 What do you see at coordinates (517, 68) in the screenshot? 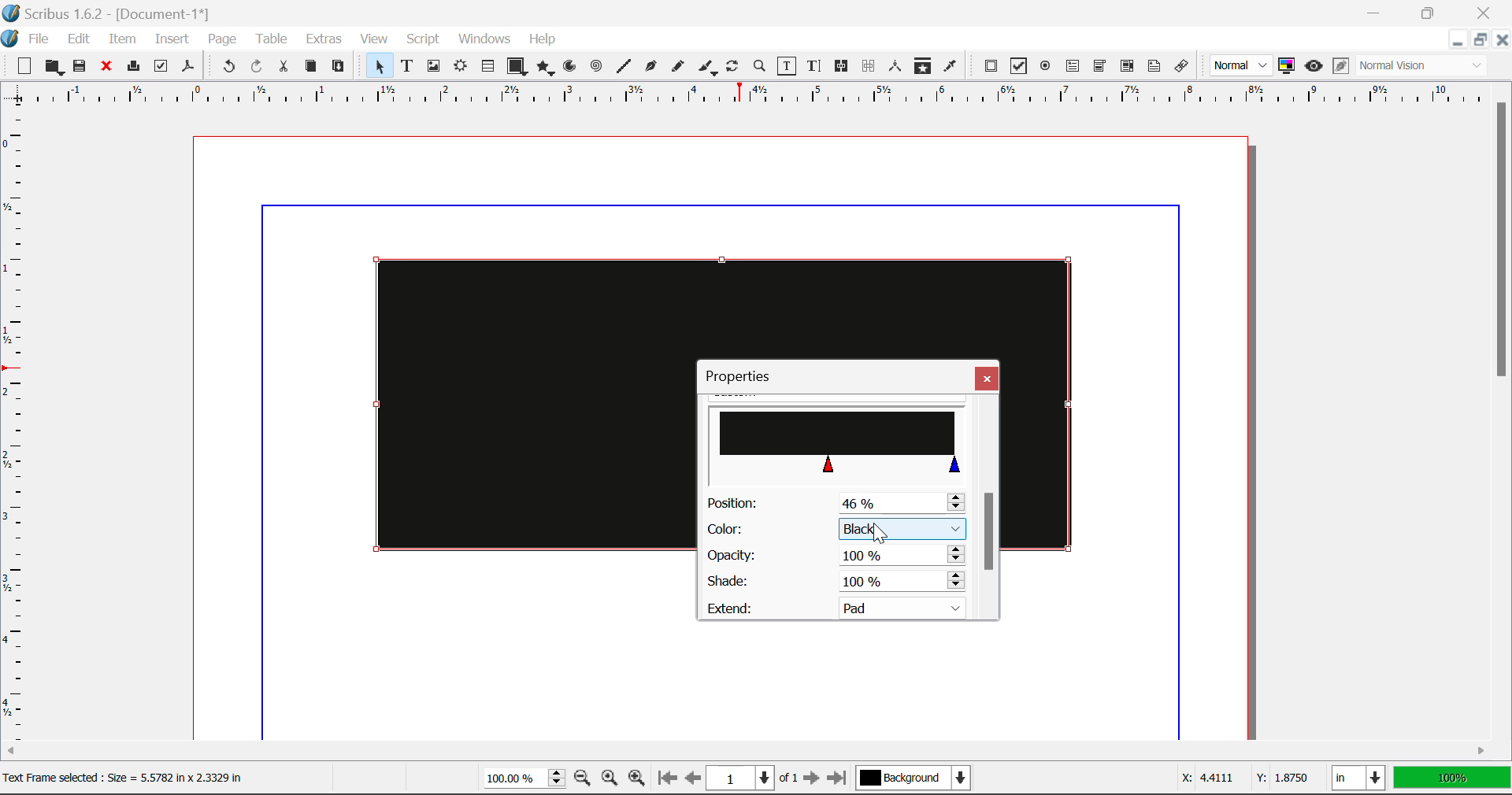
I see `Shapes` at bounding box center [517, 68].